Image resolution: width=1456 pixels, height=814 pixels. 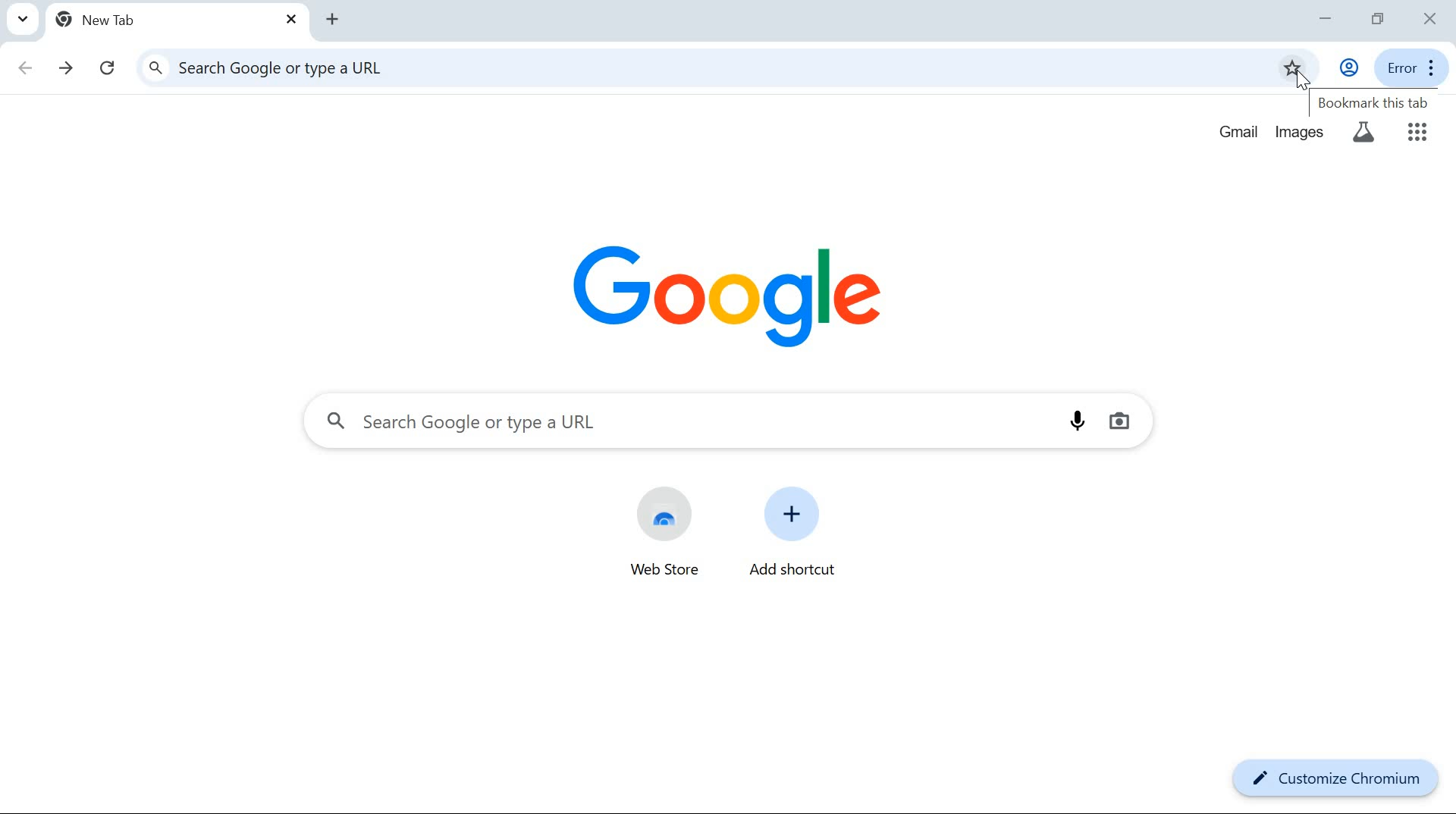 I want to click on customize chromium, so click(x=1333, y=781).